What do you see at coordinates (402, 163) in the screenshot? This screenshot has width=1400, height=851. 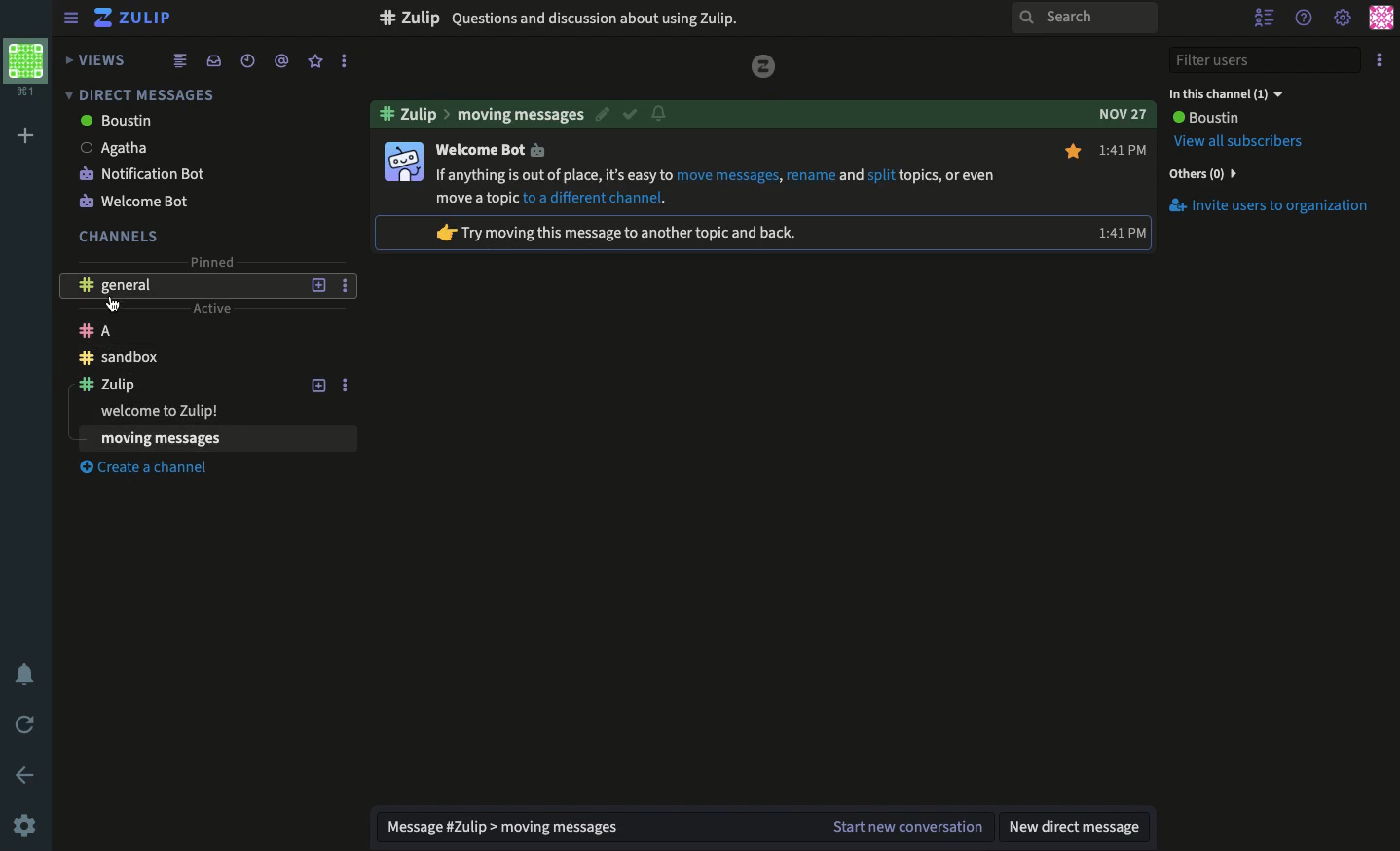 I see `Profile` at bounding box center [402, 163].